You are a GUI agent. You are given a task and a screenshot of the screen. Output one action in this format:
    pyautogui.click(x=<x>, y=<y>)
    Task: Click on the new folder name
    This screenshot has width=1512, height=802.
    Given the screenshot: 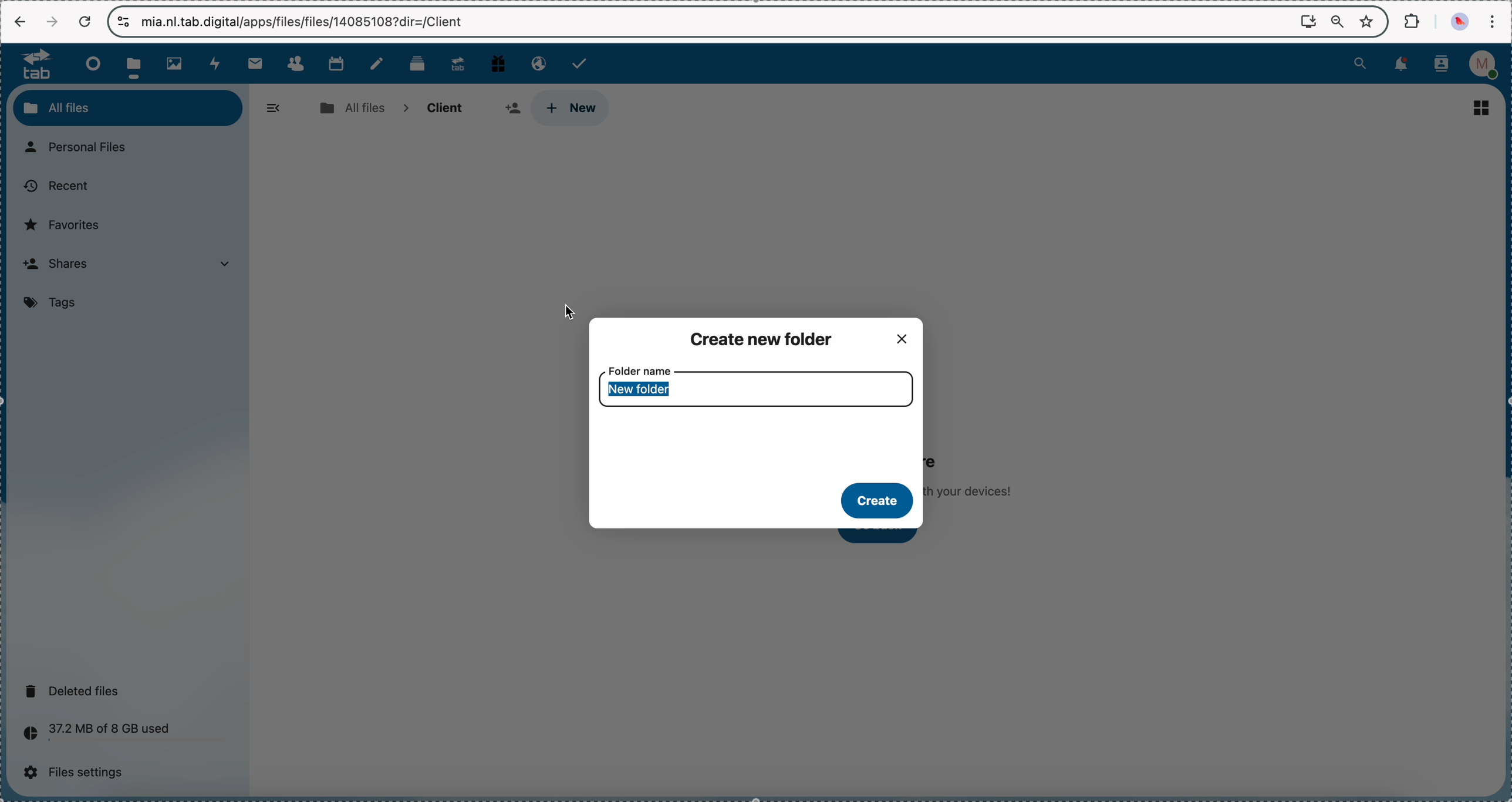 What is the action you would take?
    pyautogui.click(x=639, y=395)
    